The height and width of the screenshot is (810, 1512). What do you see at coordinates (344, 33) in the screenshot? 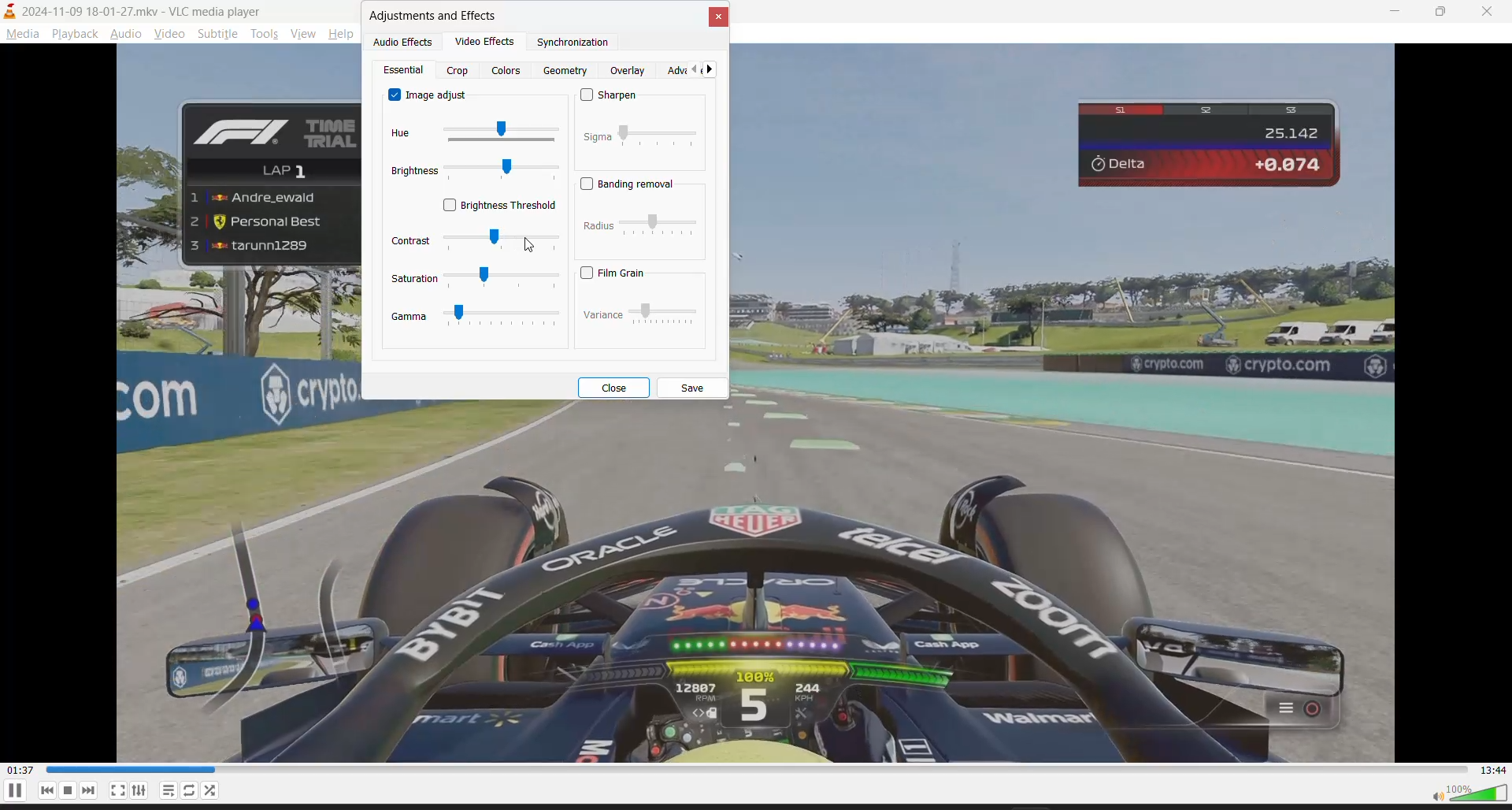
I see `help` at bounding box center [344, 33].